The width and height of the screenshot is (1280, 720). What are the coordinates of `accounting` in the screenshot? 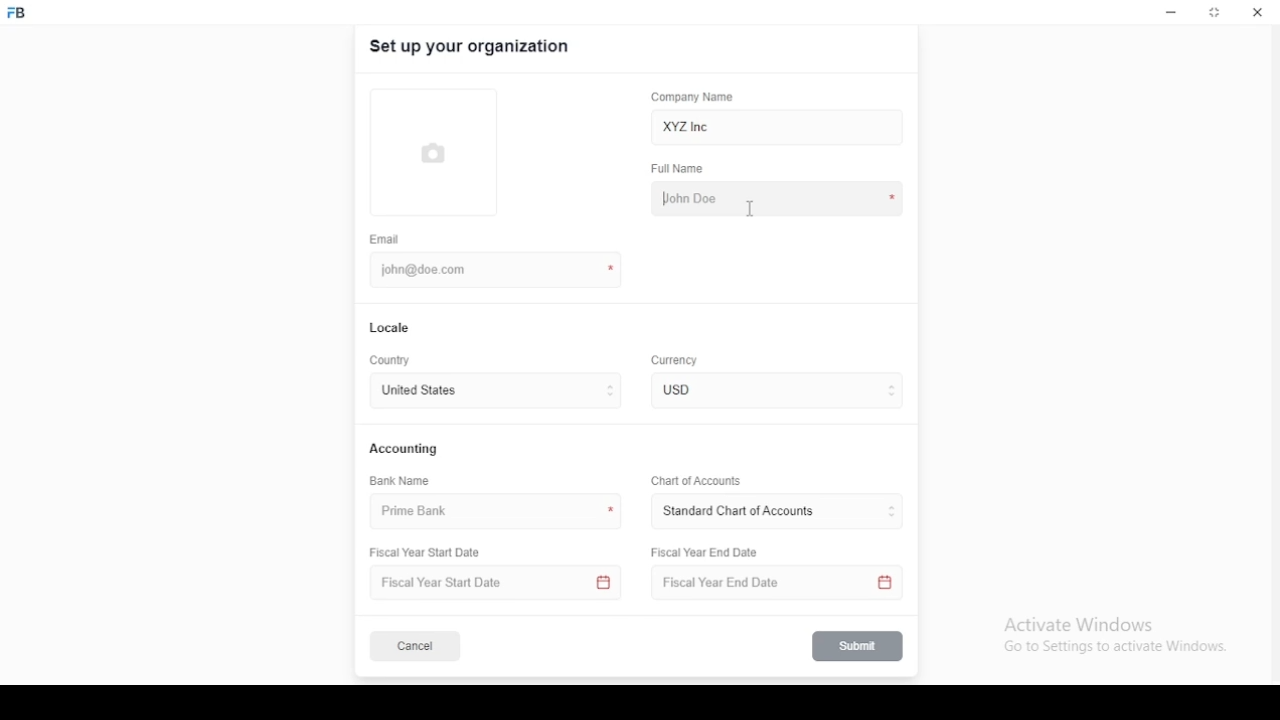 It's located at (405, 448).